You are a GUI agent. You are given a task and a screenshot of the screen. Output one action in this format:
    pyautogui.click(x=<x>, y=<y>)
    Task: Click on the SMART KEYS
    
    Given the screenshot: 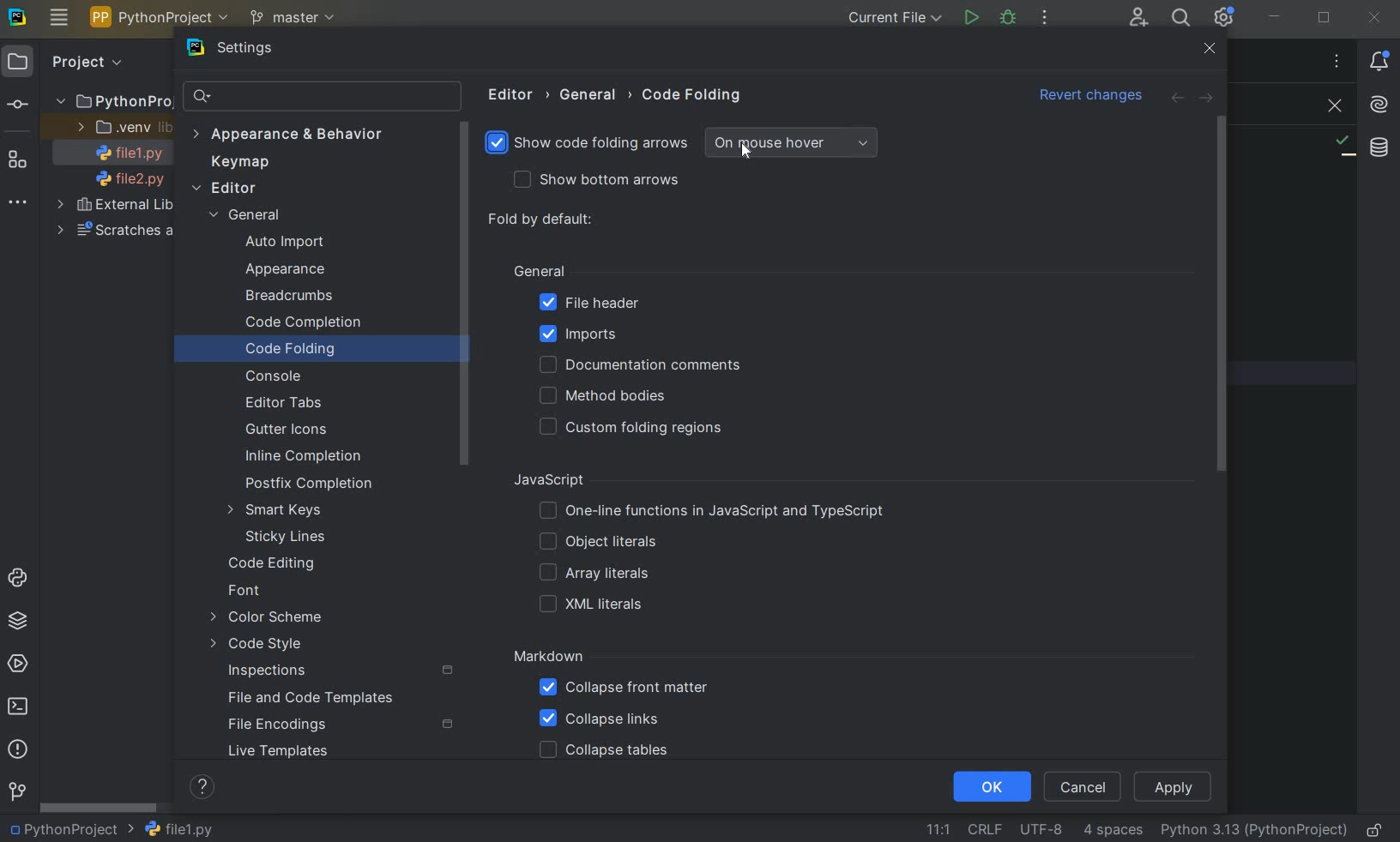 What is the action you would take?
    pyautogui.click(x=279, y=511)
    